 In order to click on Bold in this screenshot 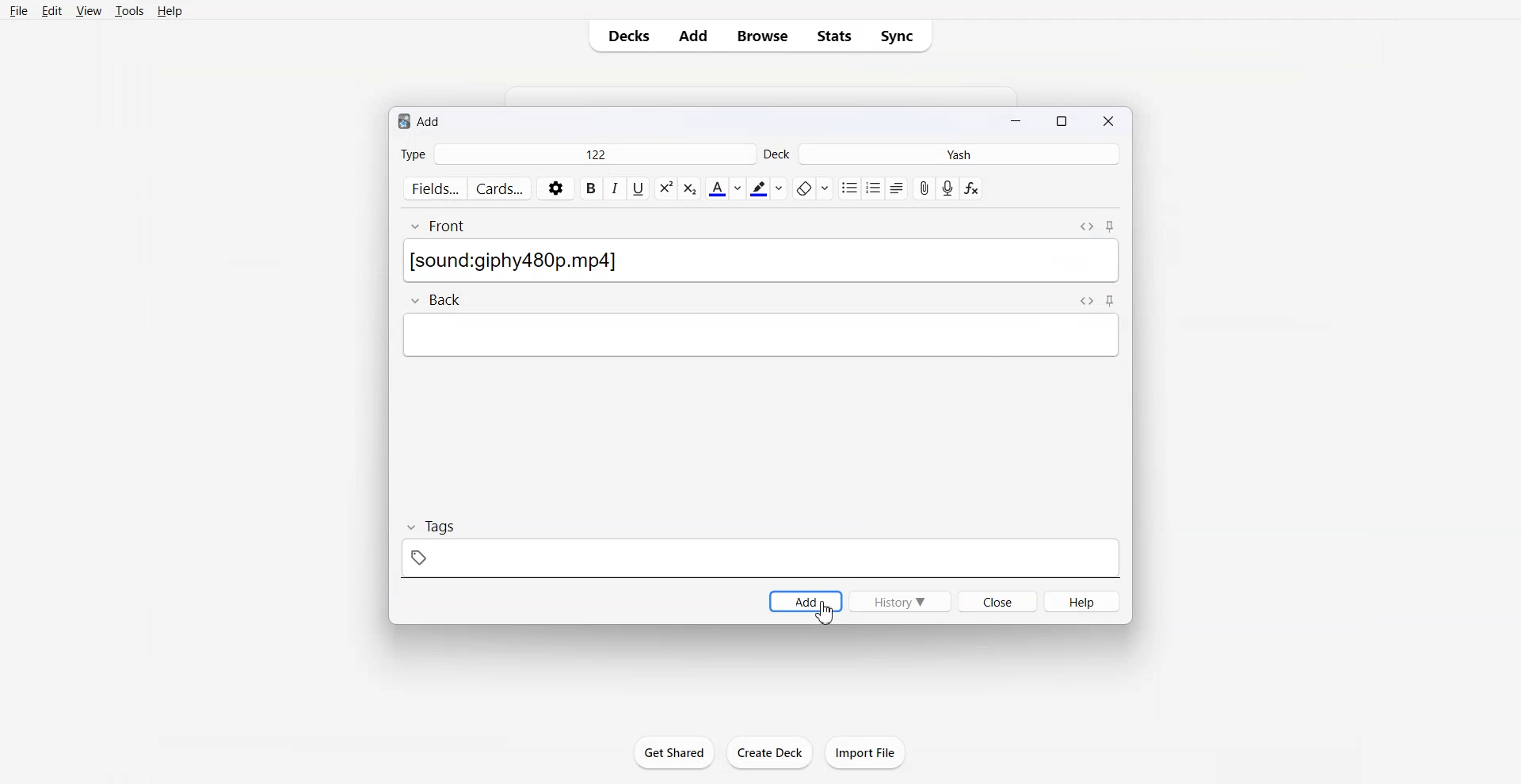, I will do `click(591, 188)`.